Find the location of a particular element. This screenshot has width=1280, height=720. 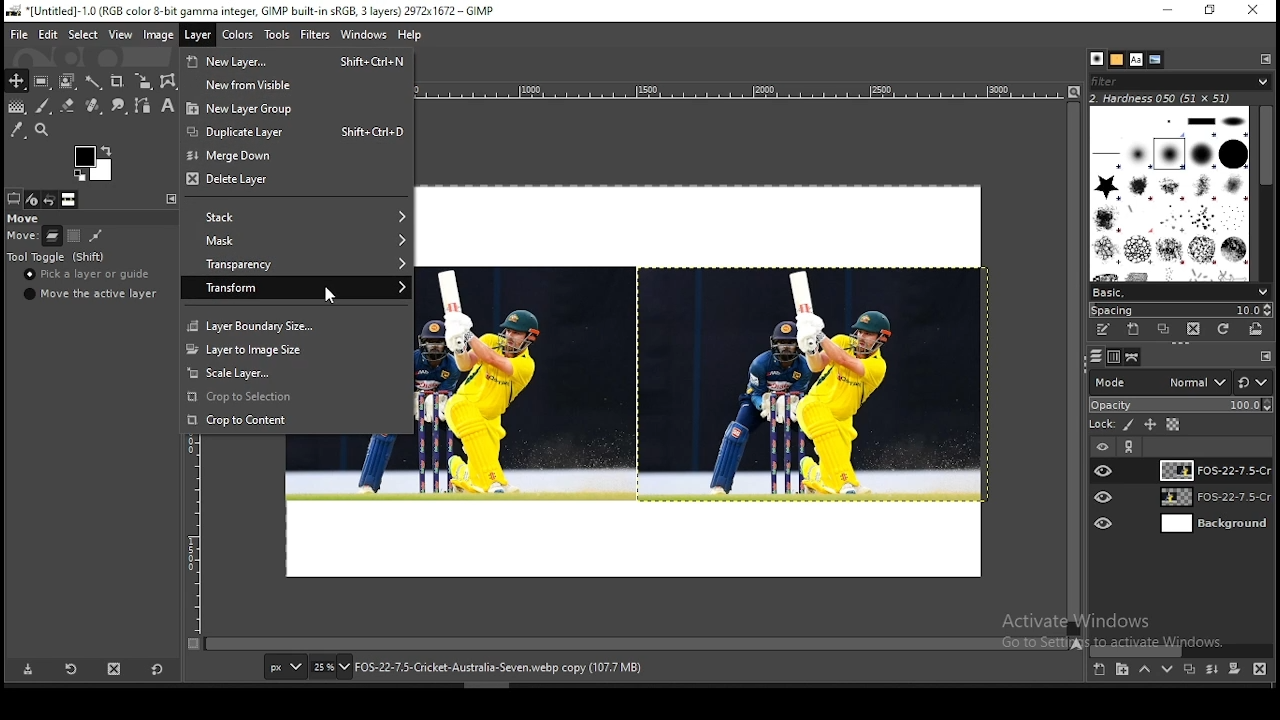

tool is located at coordinates (1265, 58).